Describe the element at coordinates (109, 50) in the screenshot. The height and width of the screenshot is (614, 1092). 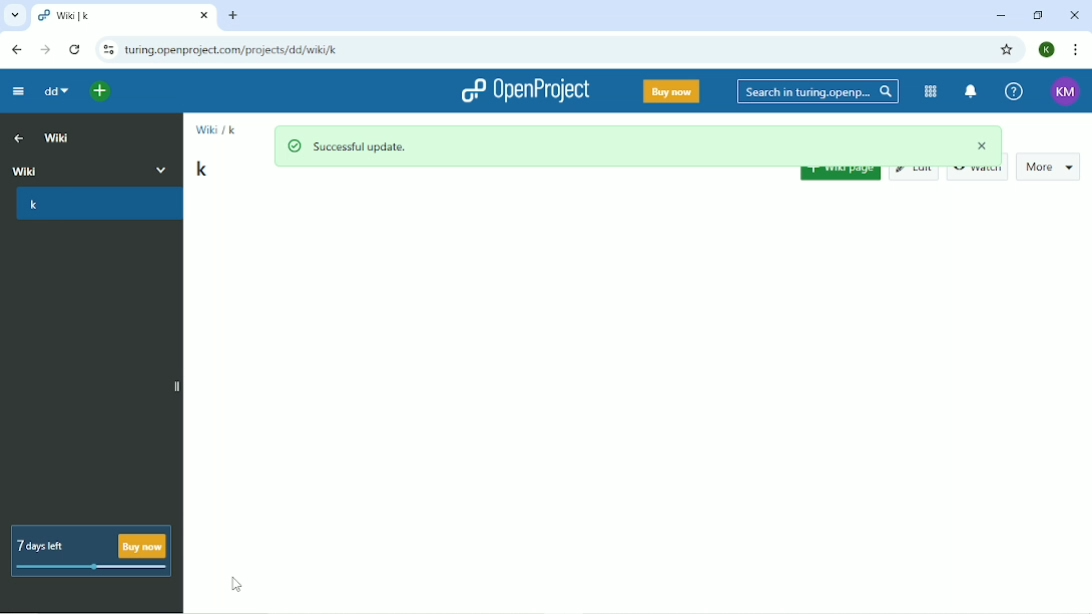
I see `View site information` at that location.